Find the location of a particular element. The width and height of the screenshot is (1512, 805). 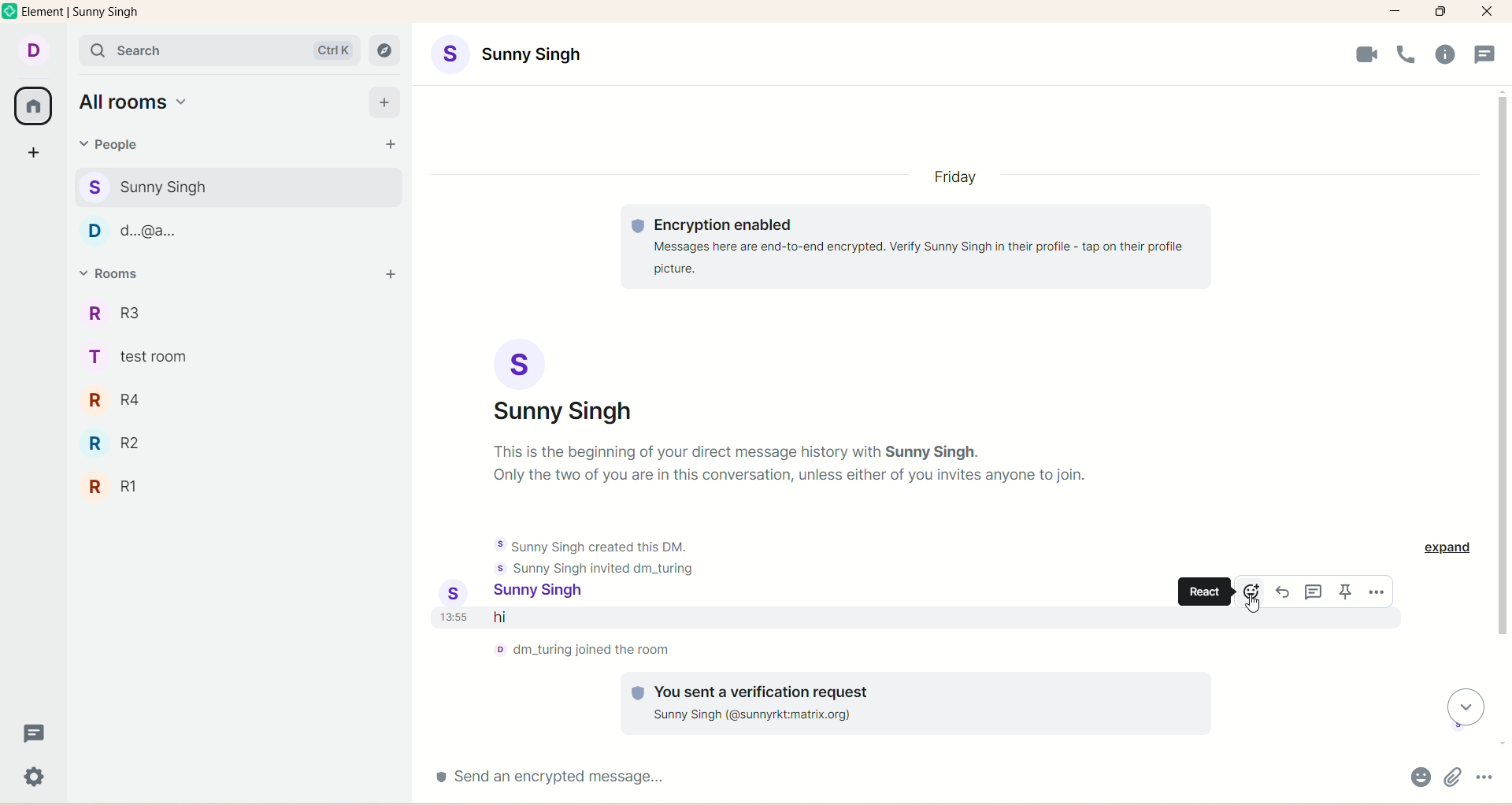

account is located at coordinates (547, 593).